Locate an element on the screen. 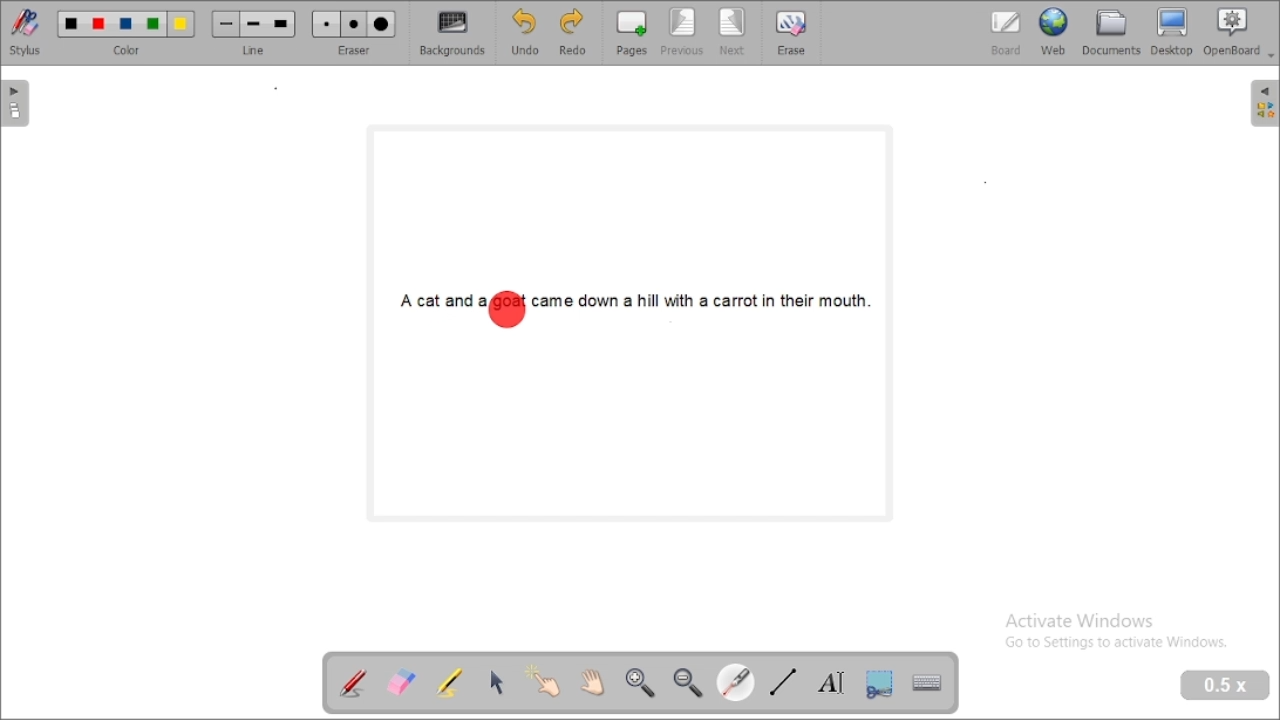 The width and height of the screenshot is (1280, 720). zoom out is located at coordinates (688, 684).